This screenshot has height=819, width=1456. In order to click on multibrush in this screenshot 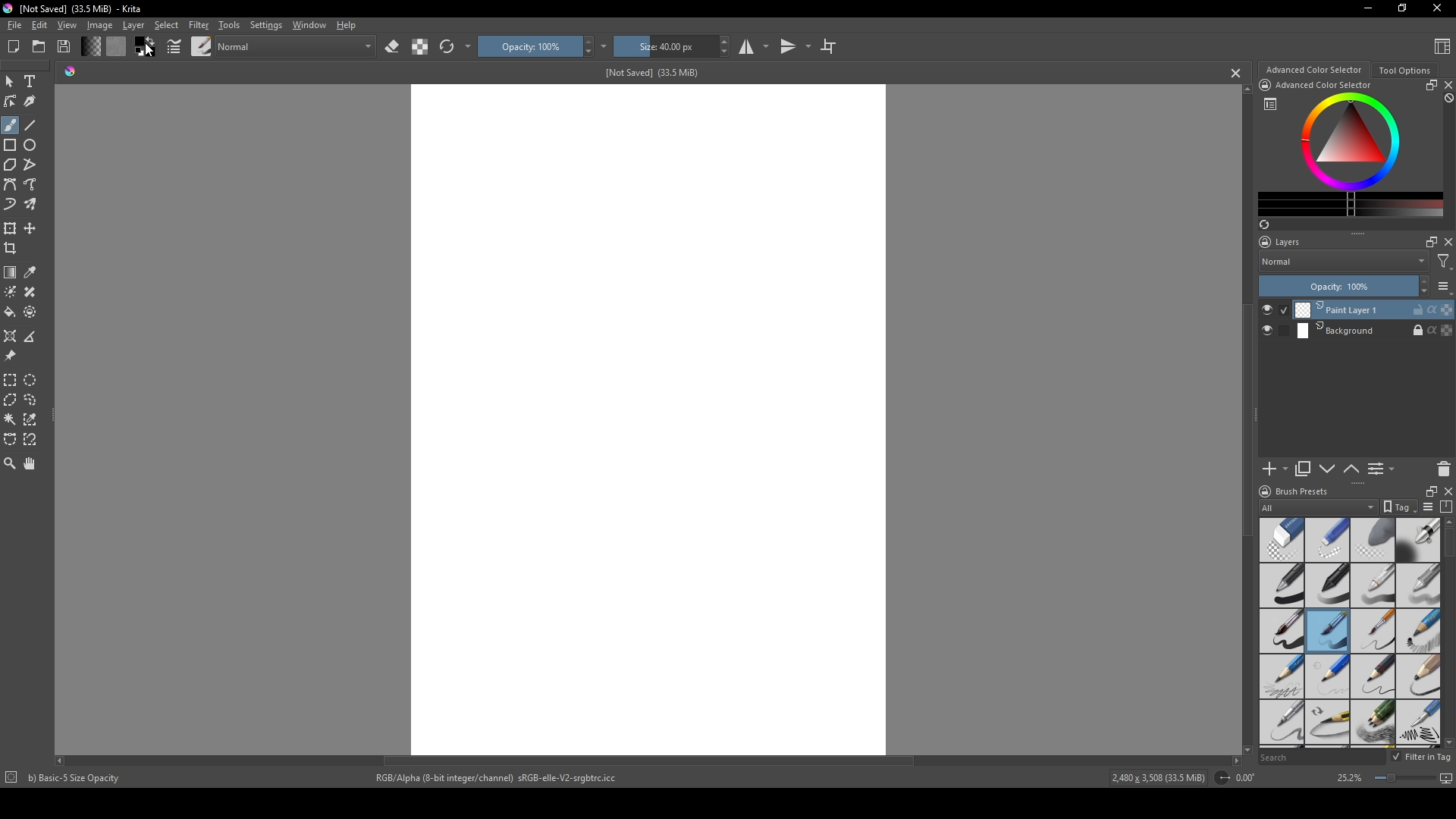, I will do `click(32, 205)`.